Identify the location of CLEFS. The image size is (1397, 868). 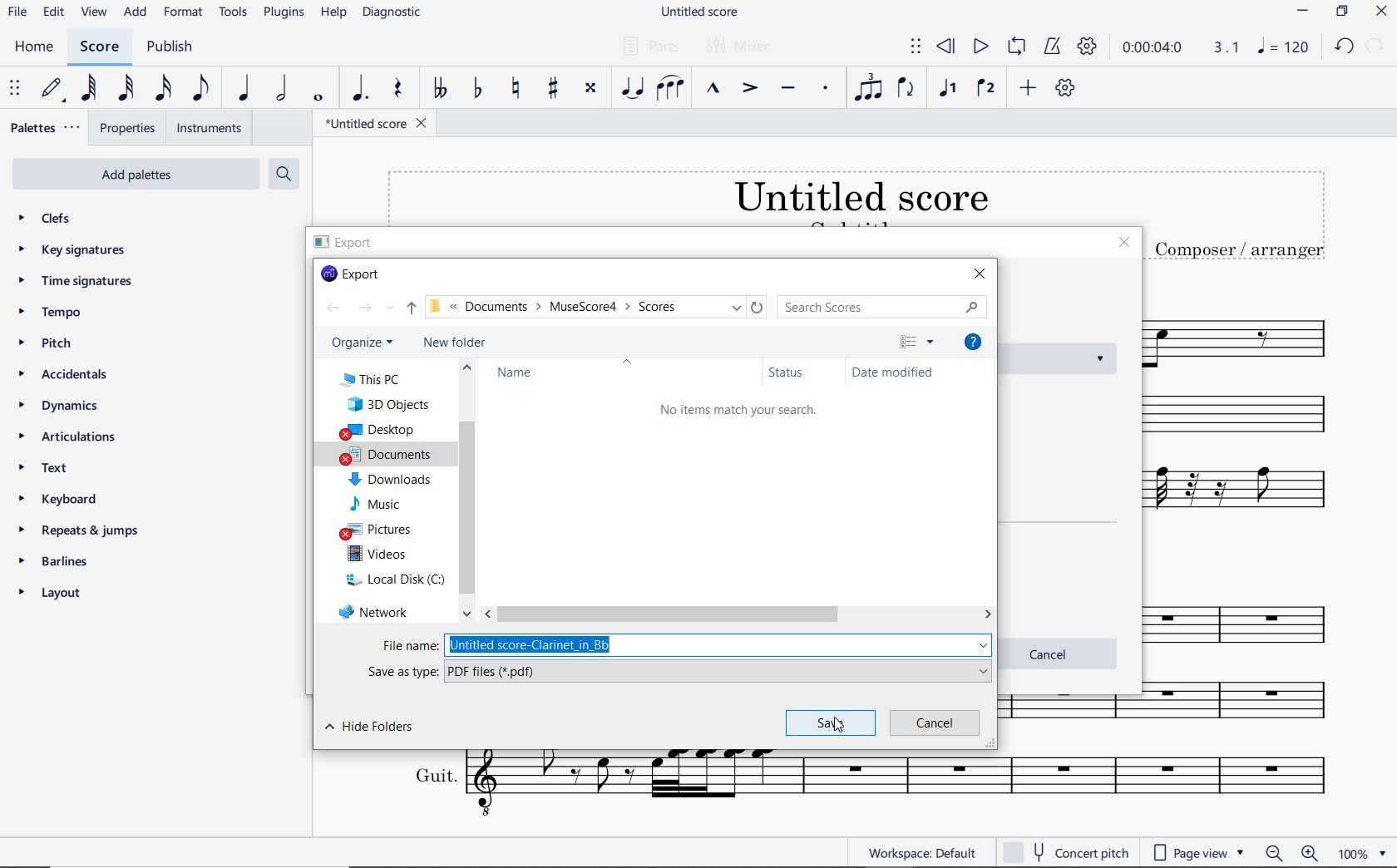
(47, 218).